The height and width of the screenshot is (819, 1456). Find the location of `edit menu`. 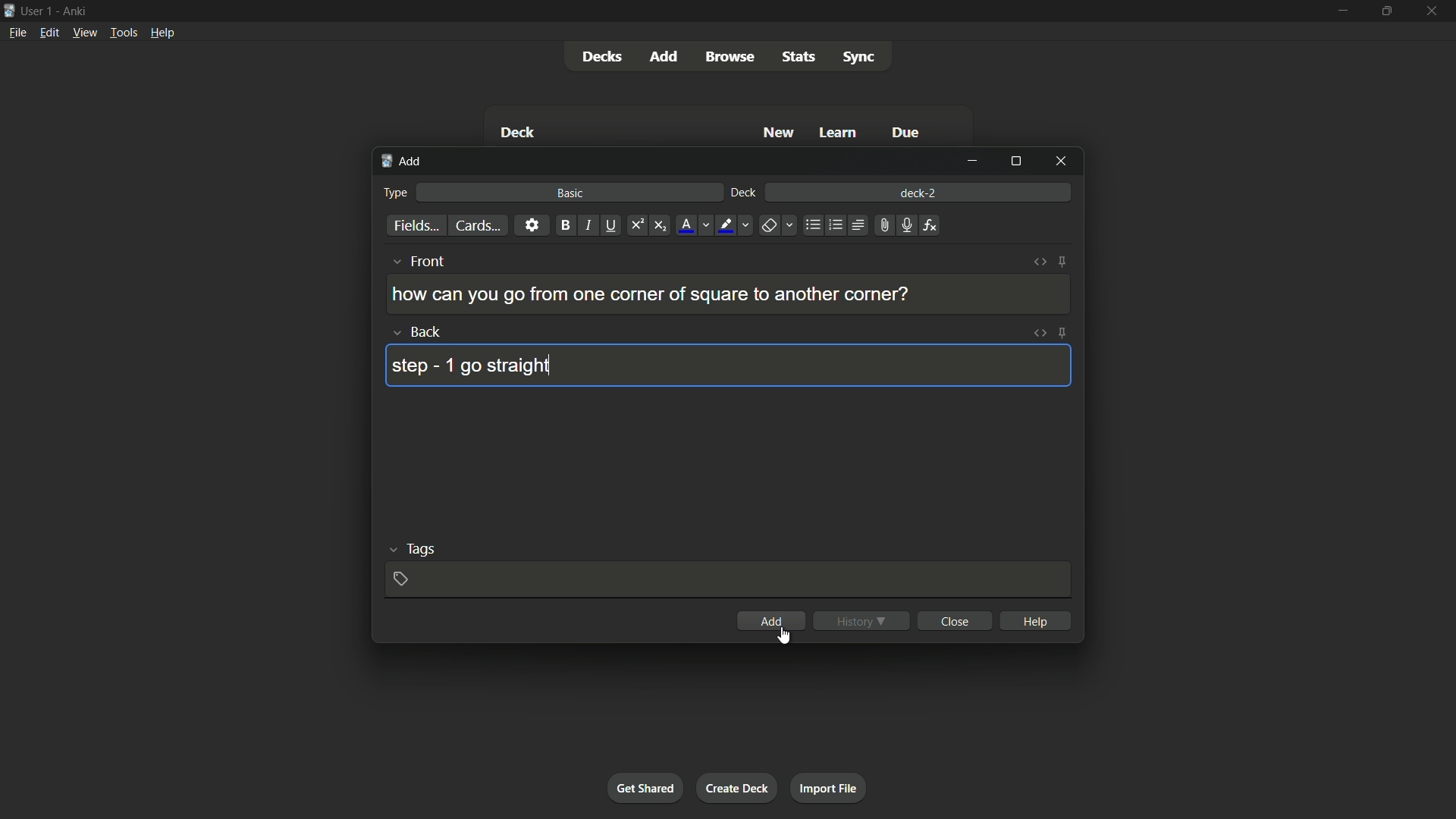

edit menu is located at coordinates (47, 32).